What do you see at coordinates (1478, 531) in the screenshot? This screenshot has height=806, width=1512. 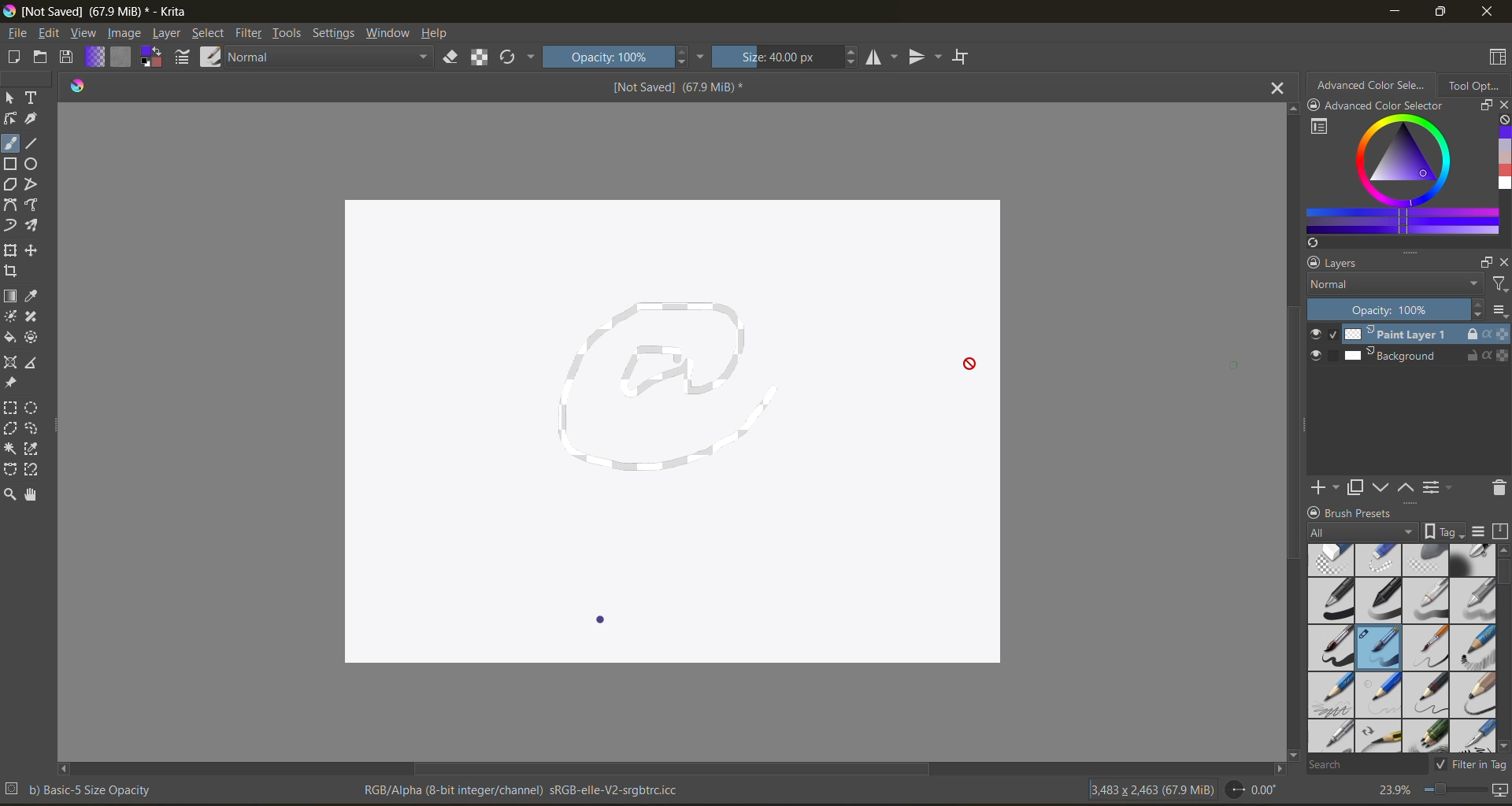 I see `display settings` at bounding box center [1478, 531].